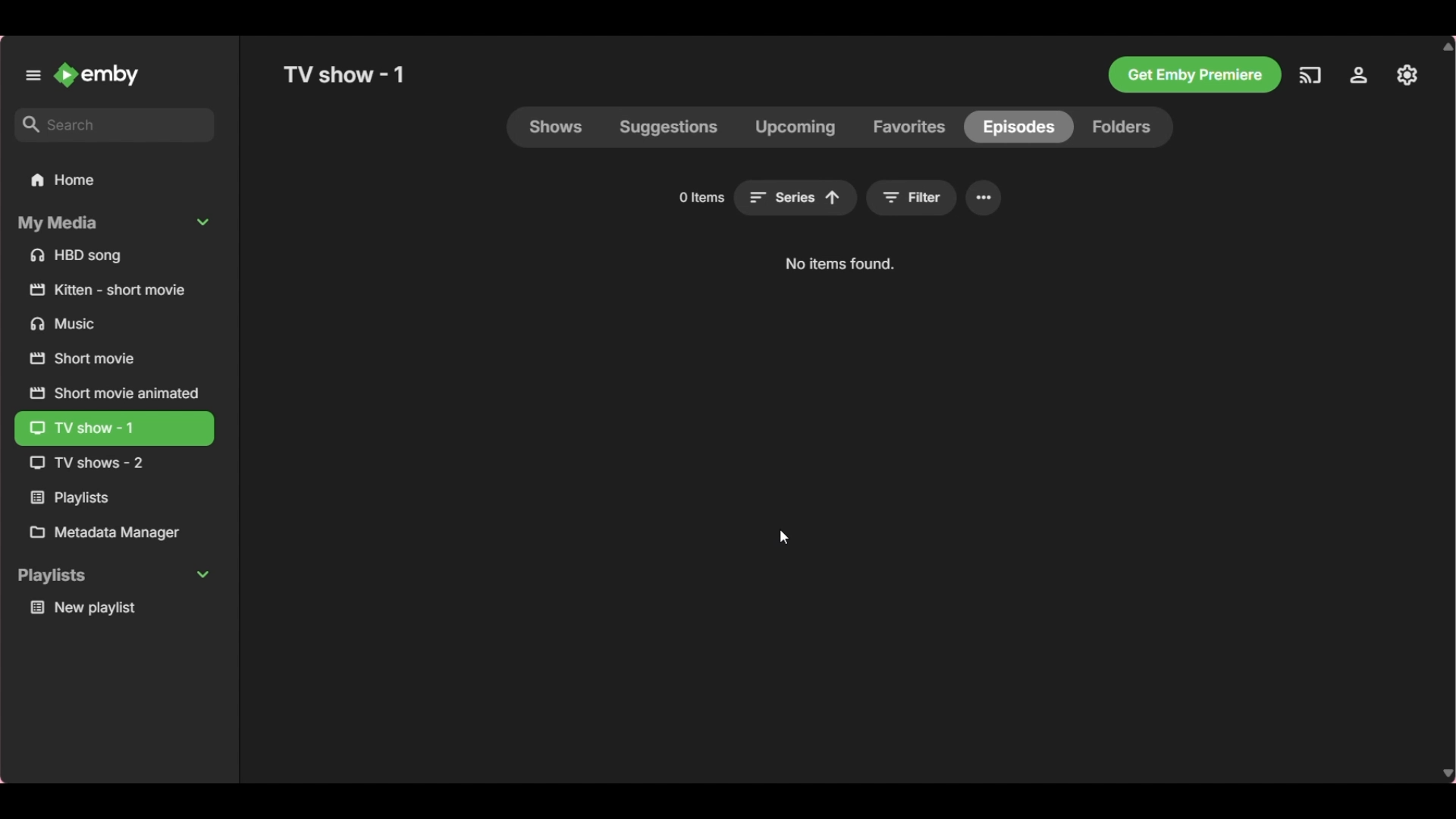  What do you see at coordinates (1018, 127) in the screenshot?
I see `Current selection highlighted` at bounding box center [1018, 127].